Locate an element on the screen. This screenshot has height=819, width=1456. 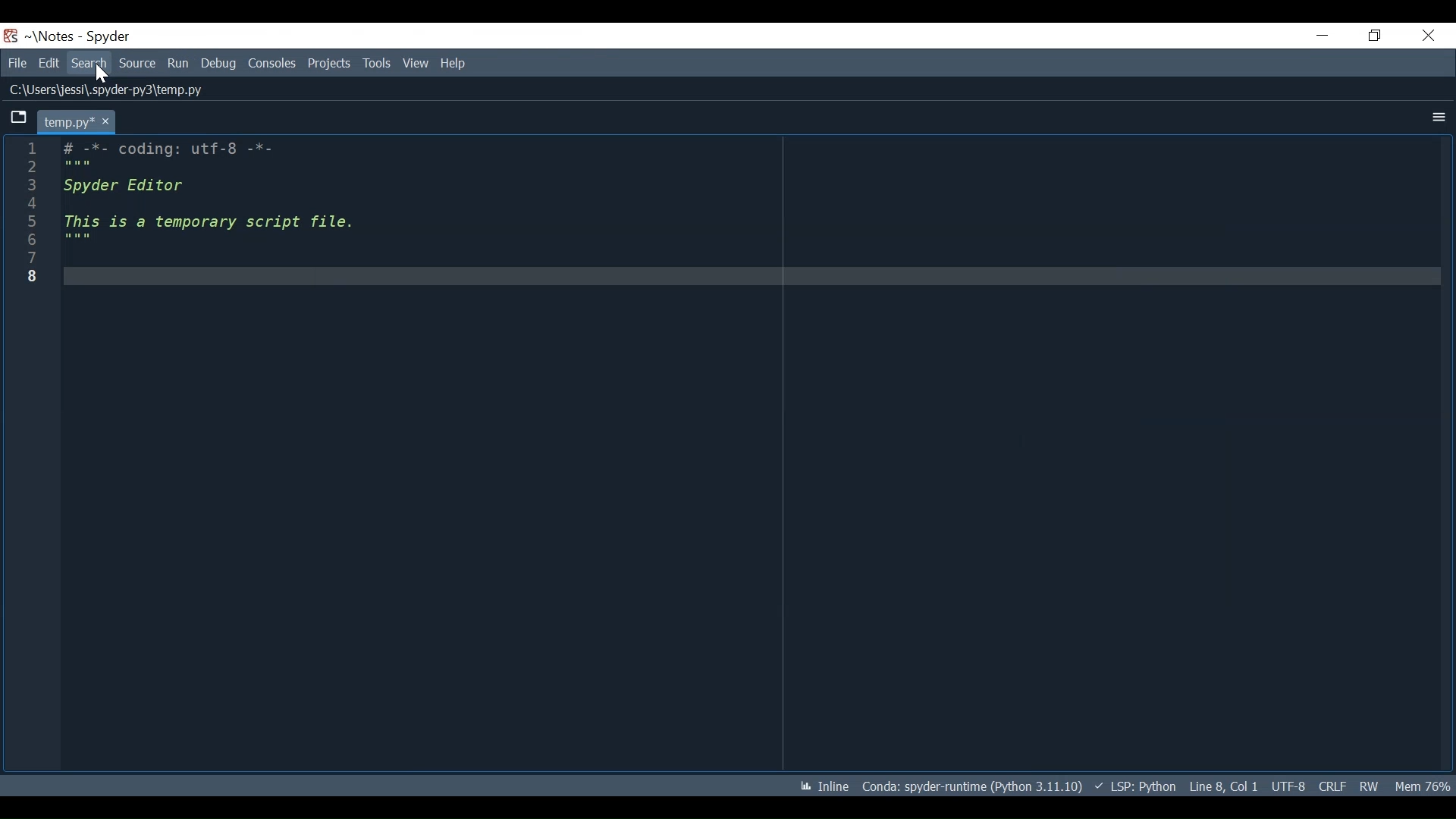
line column is located at coordinates (27, 450).